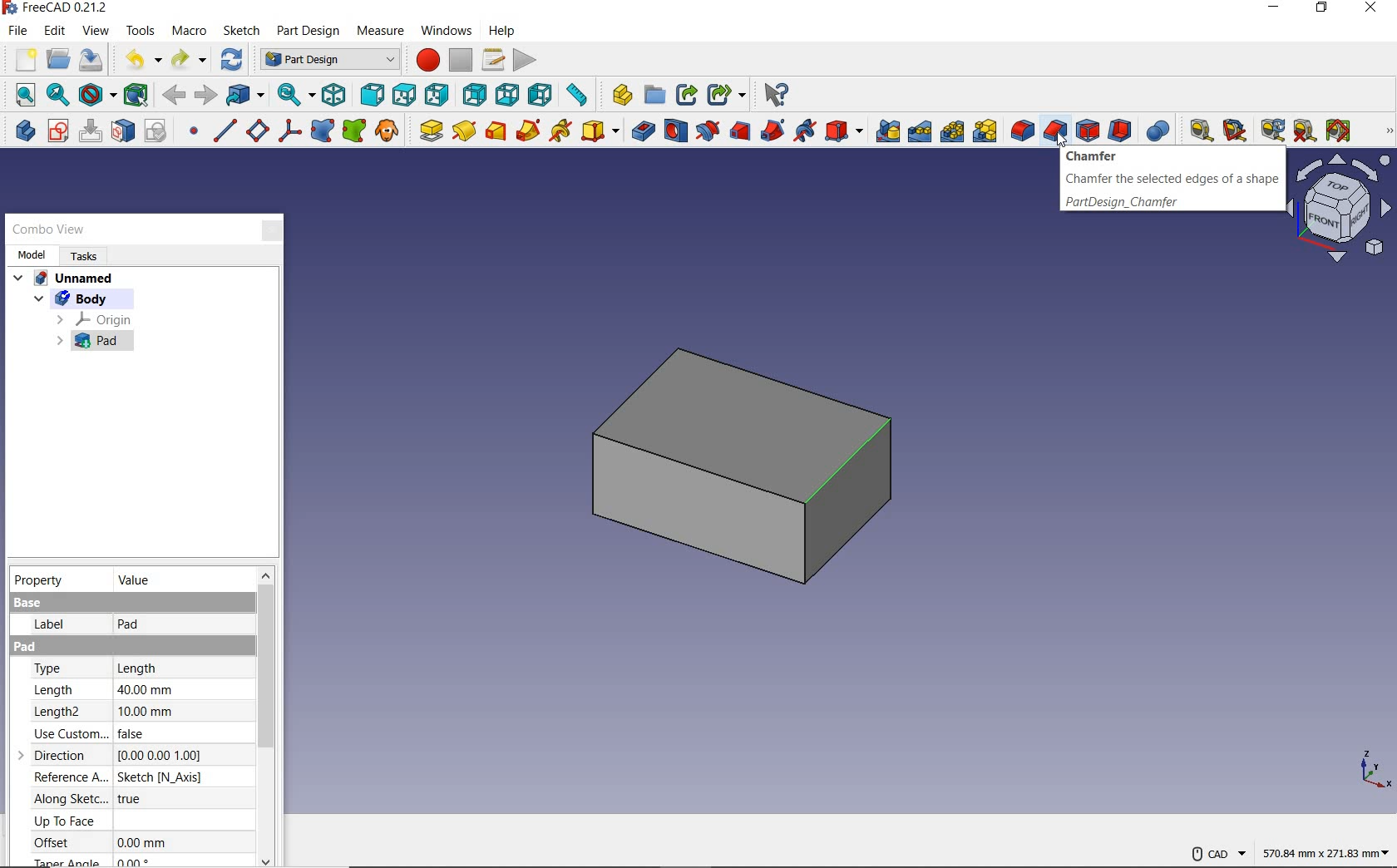  What do you see at coordinates (147, 797) in the screenshot?
I see `true` at bounding box center [147, 797].